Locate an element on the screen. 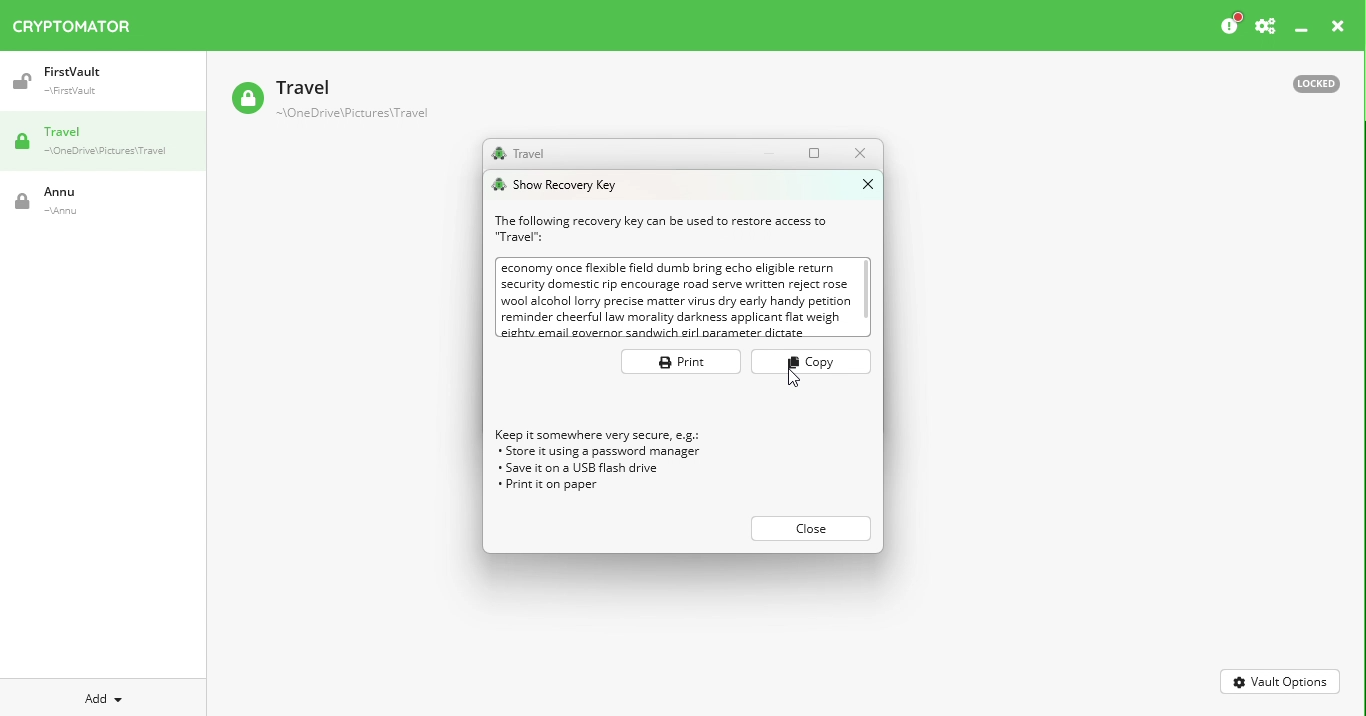 This screenshot has height=716, width=1366. Recovery key tips is located at coordinates (614, 466).